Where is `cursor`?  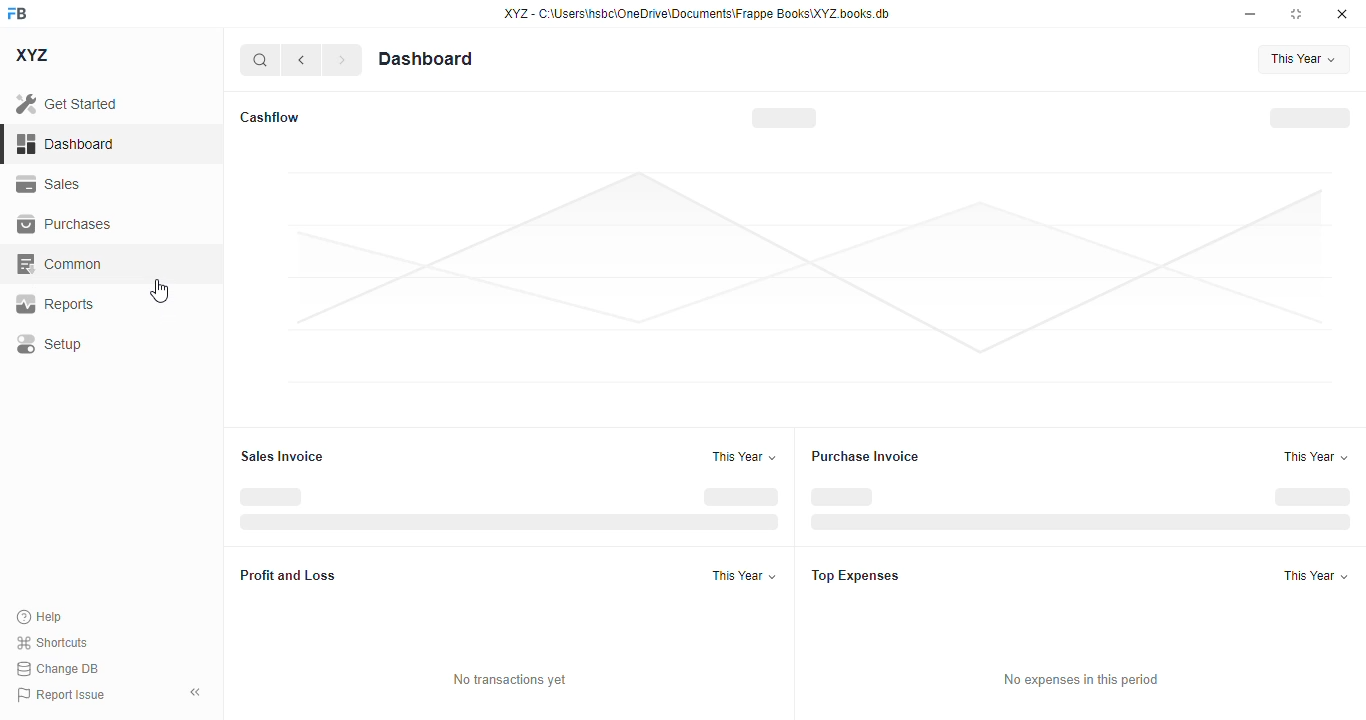
cursor is located at coordinates (159, 291).